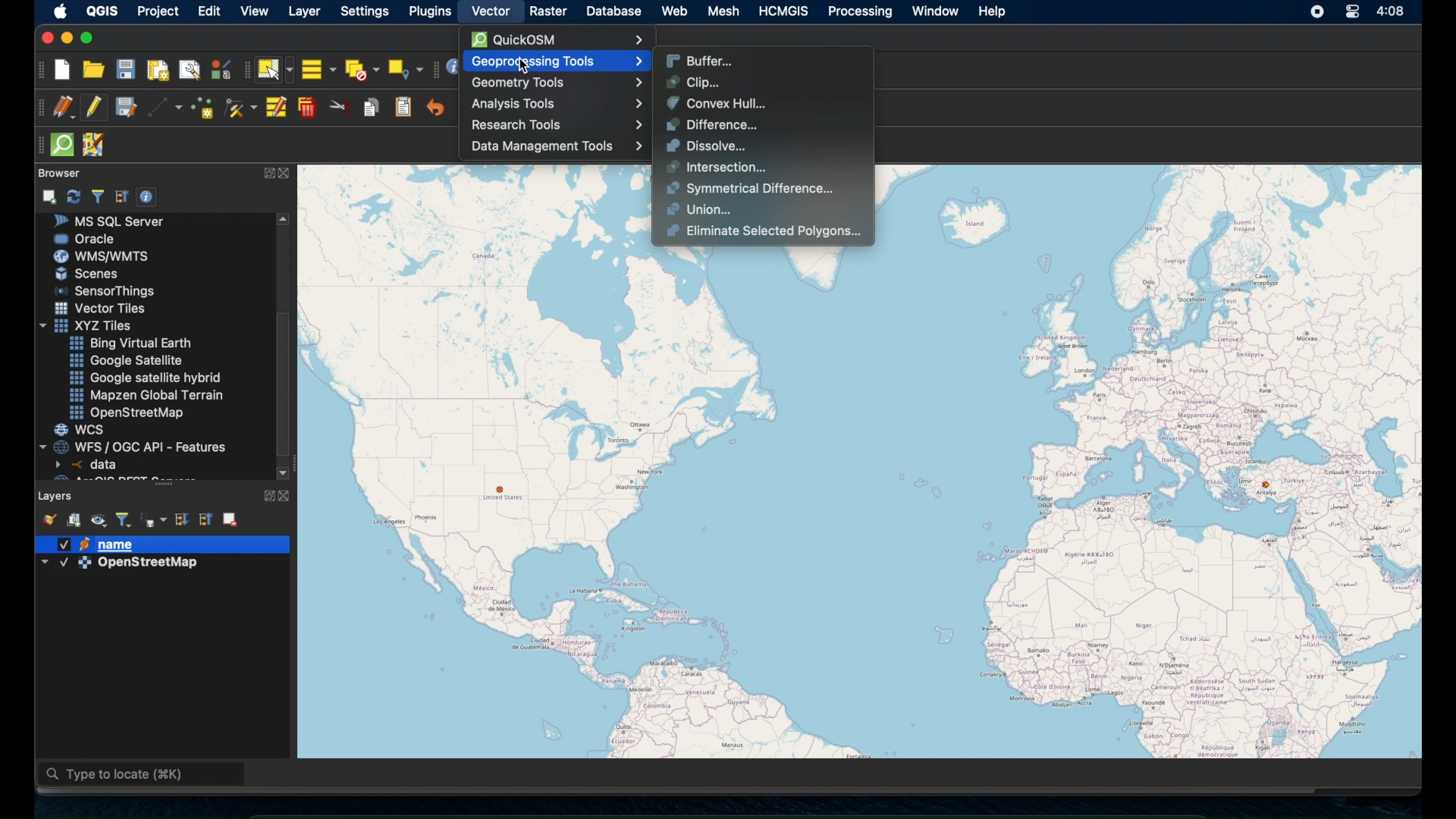  Describe the element at coordinates (149, 197) in the screenshot. I see `enable/disable properties widget` at that location.